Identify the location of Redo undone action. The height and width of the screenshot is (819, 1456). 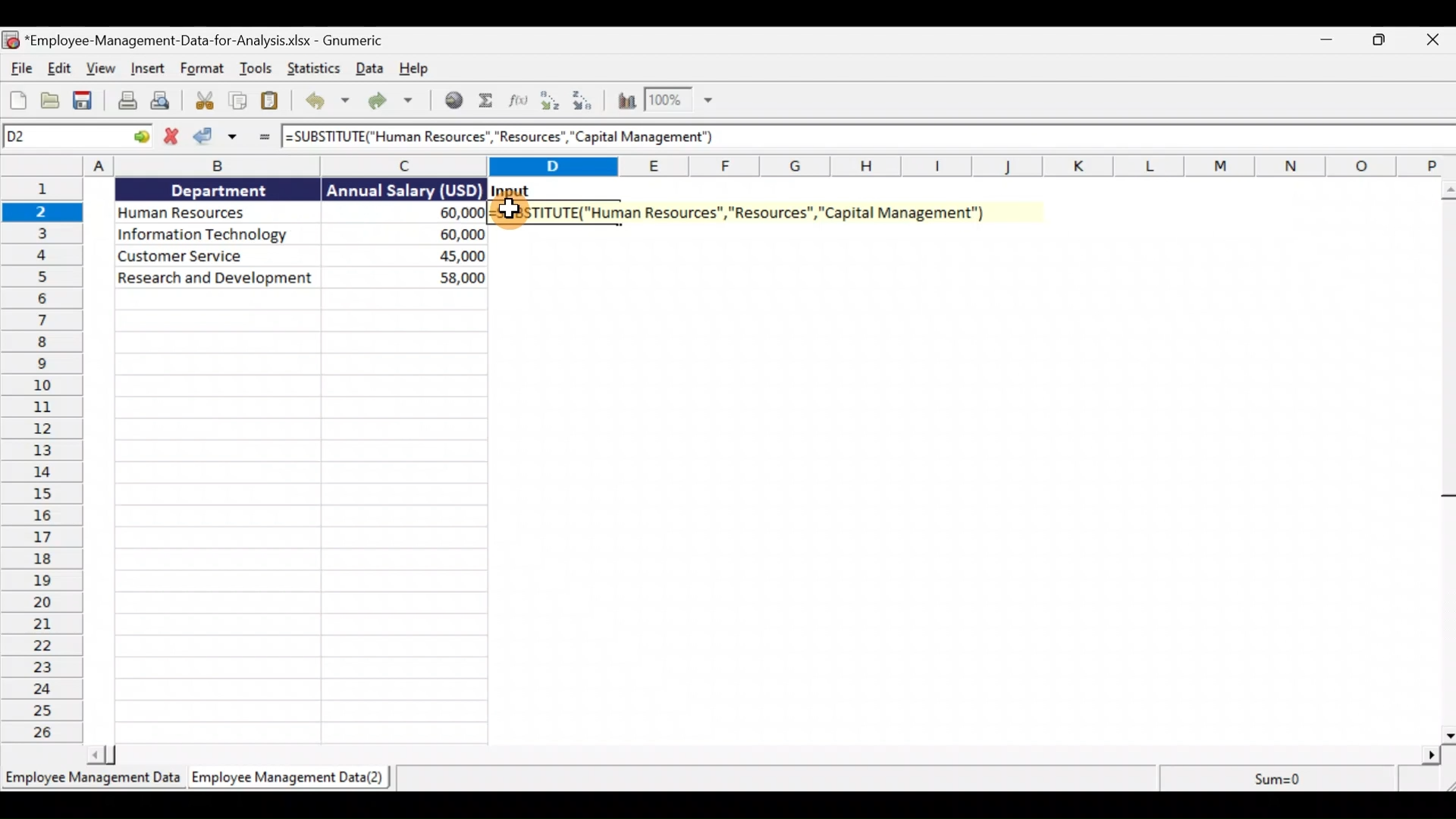
(397, 103).